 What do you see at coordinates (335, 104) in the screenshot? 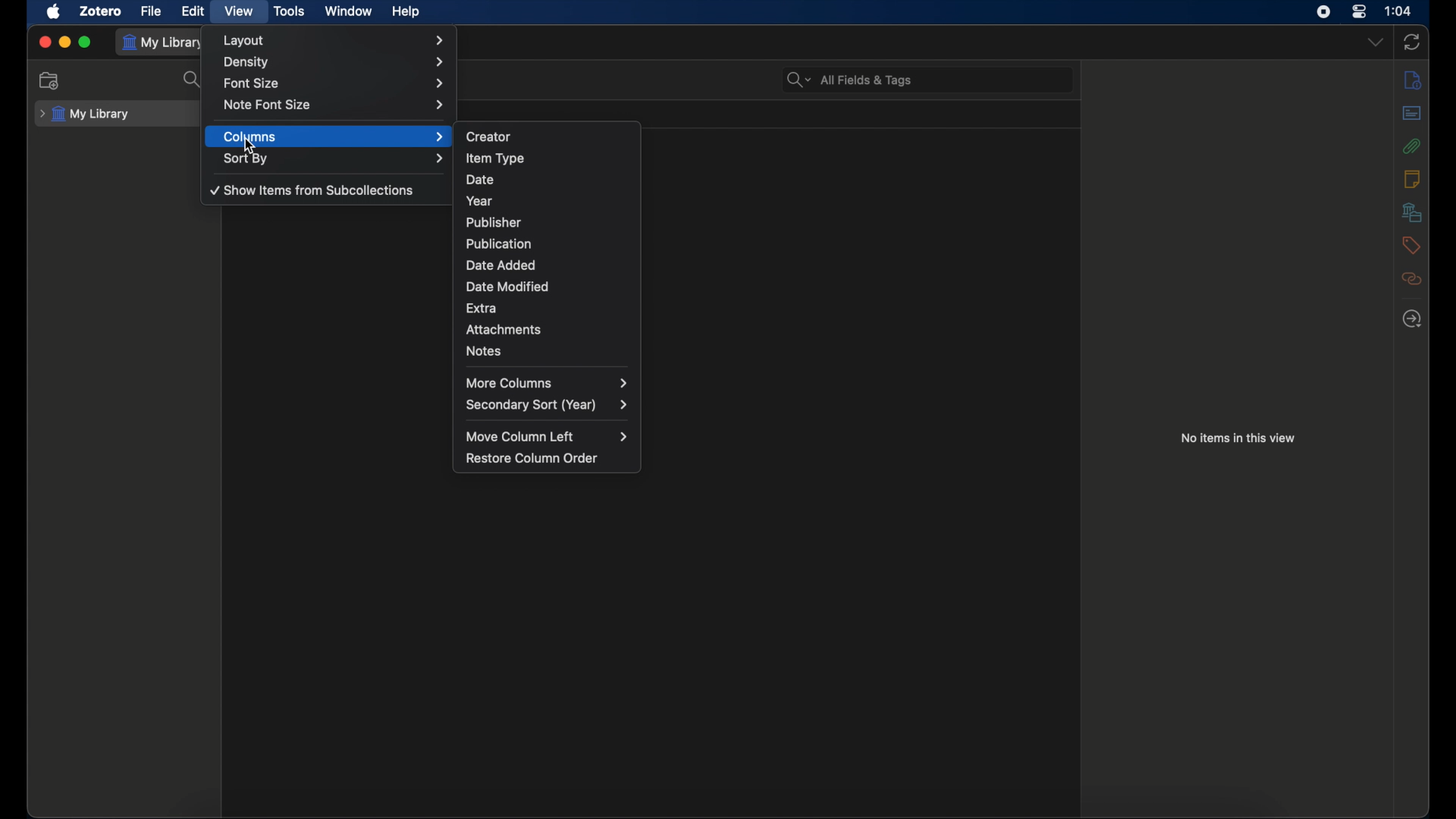
I see `note font size` at bounding box center [335, 104].